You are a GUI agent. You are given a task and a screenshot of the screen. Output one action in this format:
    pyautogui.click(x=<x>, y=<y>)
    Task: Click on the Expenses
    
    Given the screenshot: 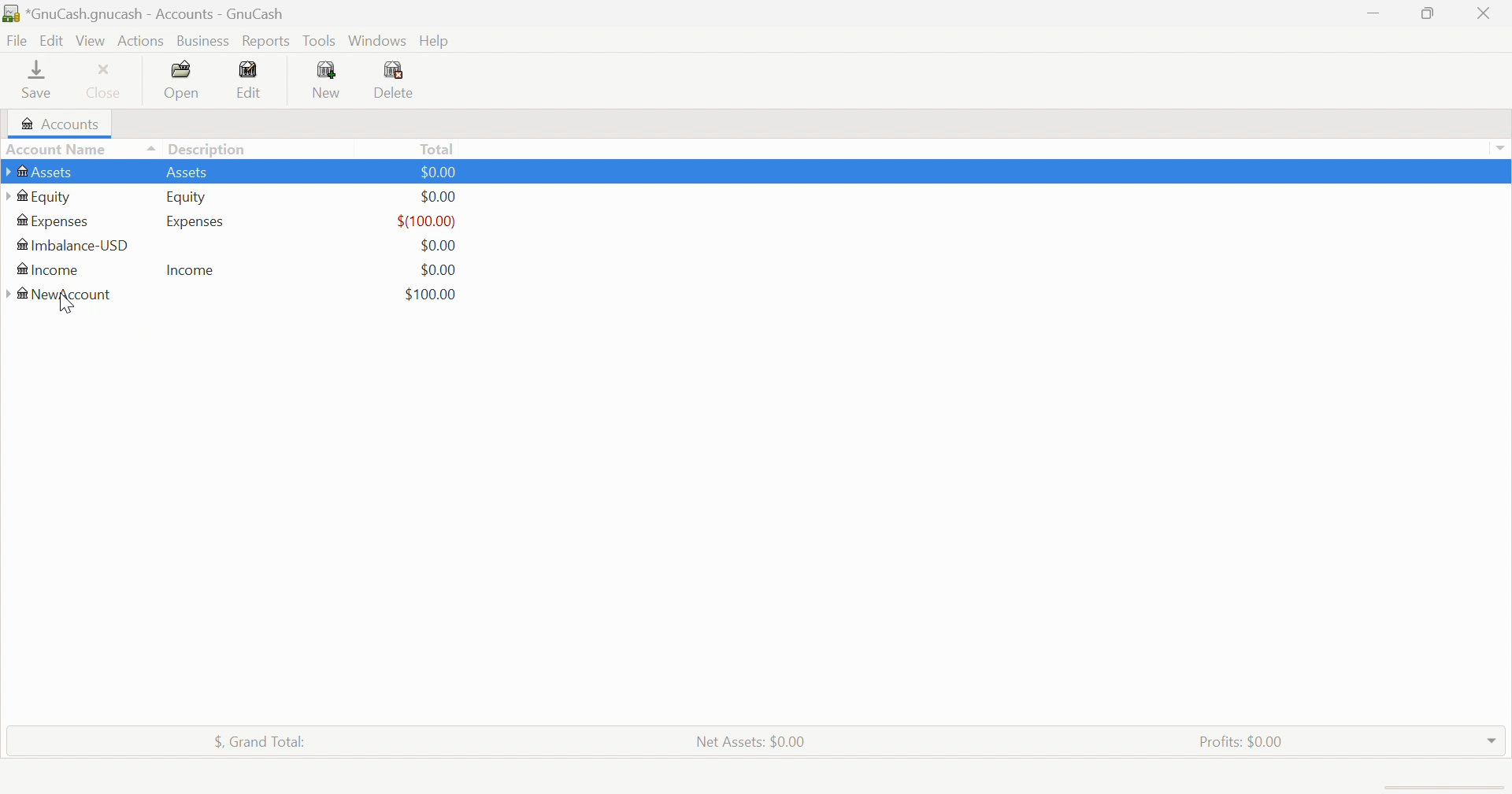 What is the action you would take?
    pyautogui.click(x=198, y=222)
    